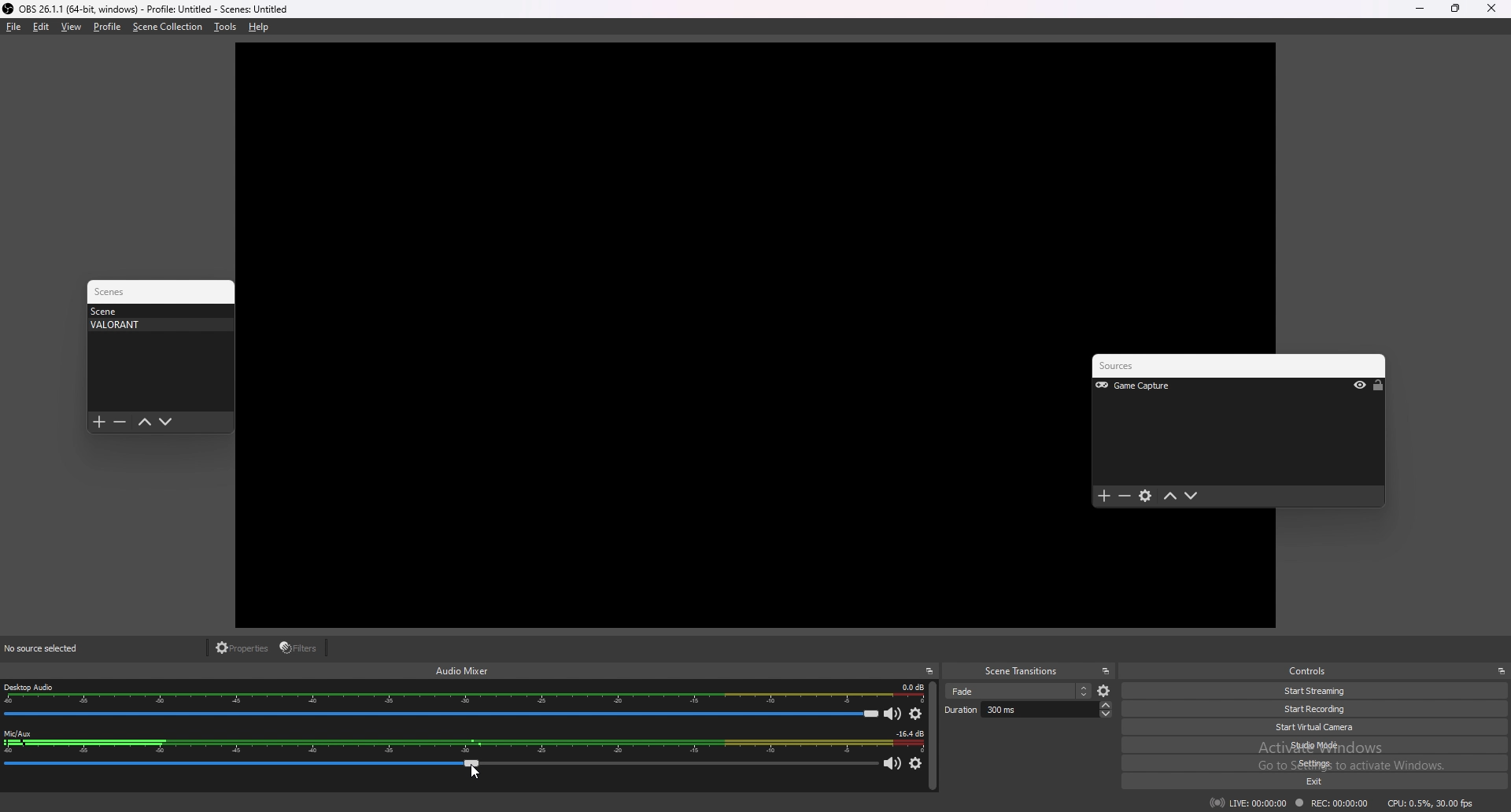 This screenshot has height=812, width=1511. Describe the element at coordinates (168, 27) in the screenshot. I see `scene collection` at that location.